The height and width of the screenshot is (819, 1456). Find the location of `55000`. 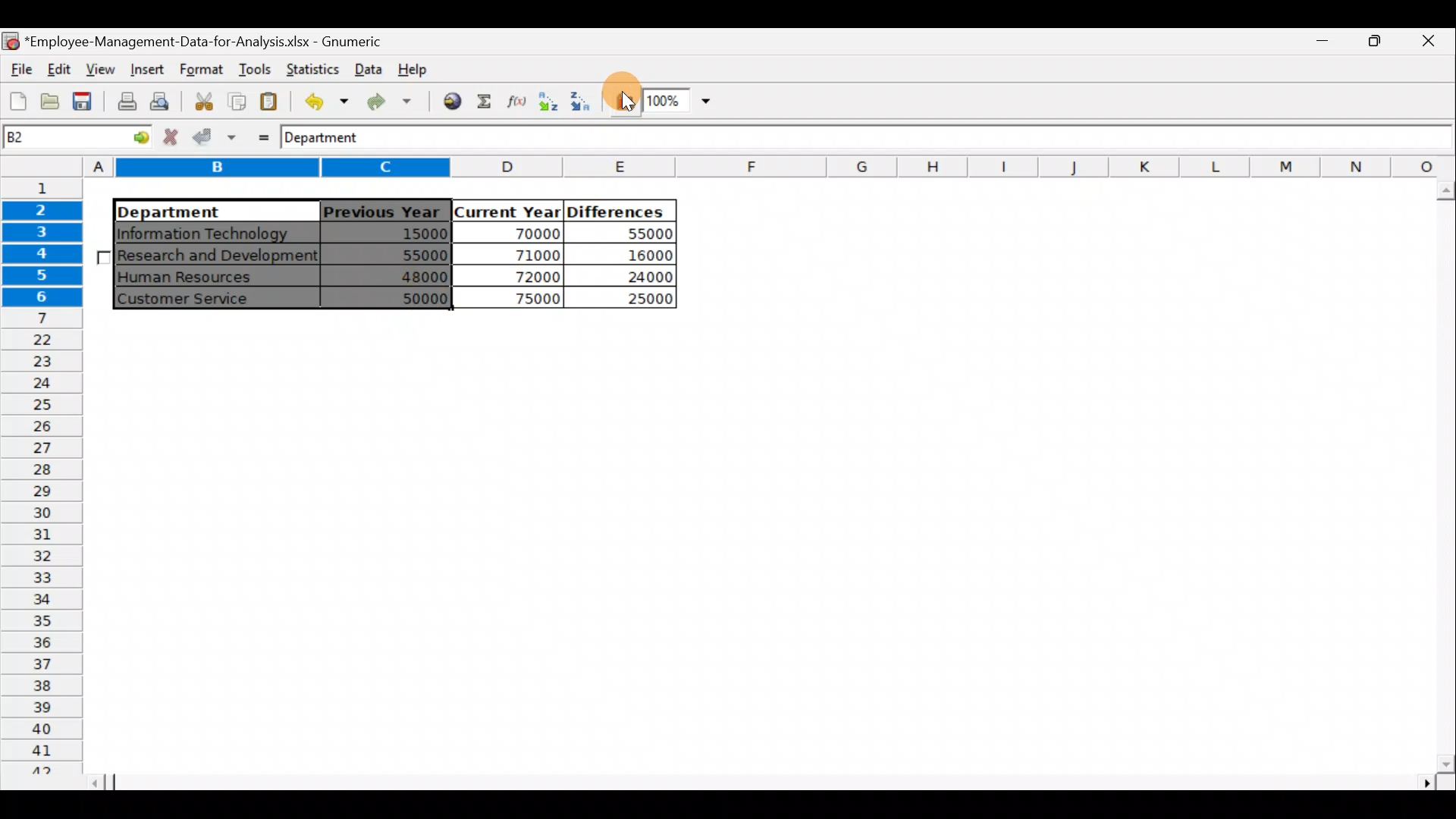

55000 is located at coordinates (642, 234).